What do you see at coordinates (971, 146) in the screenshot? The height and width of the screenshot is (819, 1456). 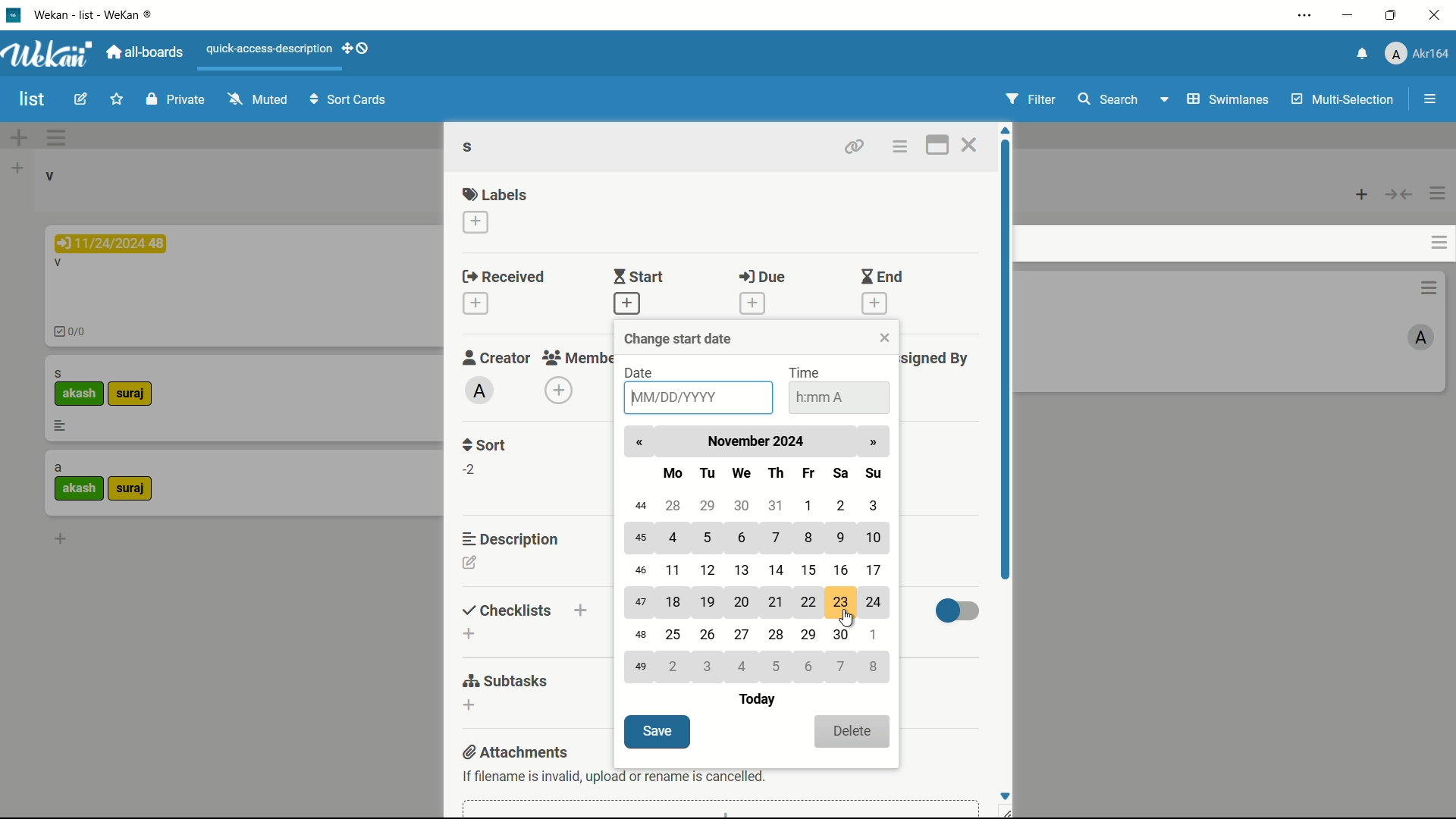 I see `close card` at bounding box center [971, 146].